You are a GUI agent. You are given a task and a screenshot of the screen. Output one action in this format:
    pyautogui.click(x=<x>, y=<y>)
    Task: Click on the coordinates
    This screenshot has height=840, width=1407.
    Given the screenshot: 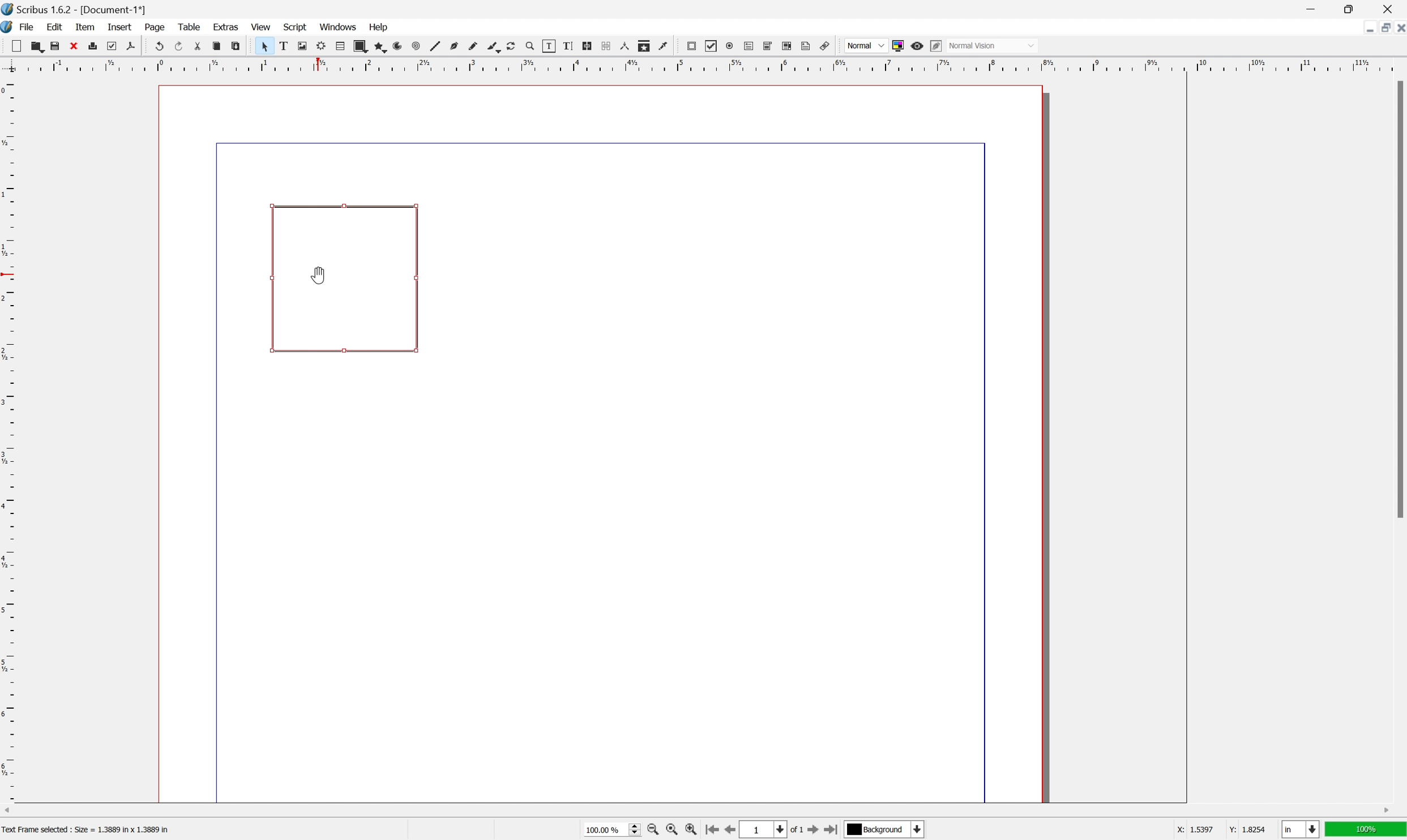 What is the action you would take?
    pyautogui.click(x=1208, y=830)
    